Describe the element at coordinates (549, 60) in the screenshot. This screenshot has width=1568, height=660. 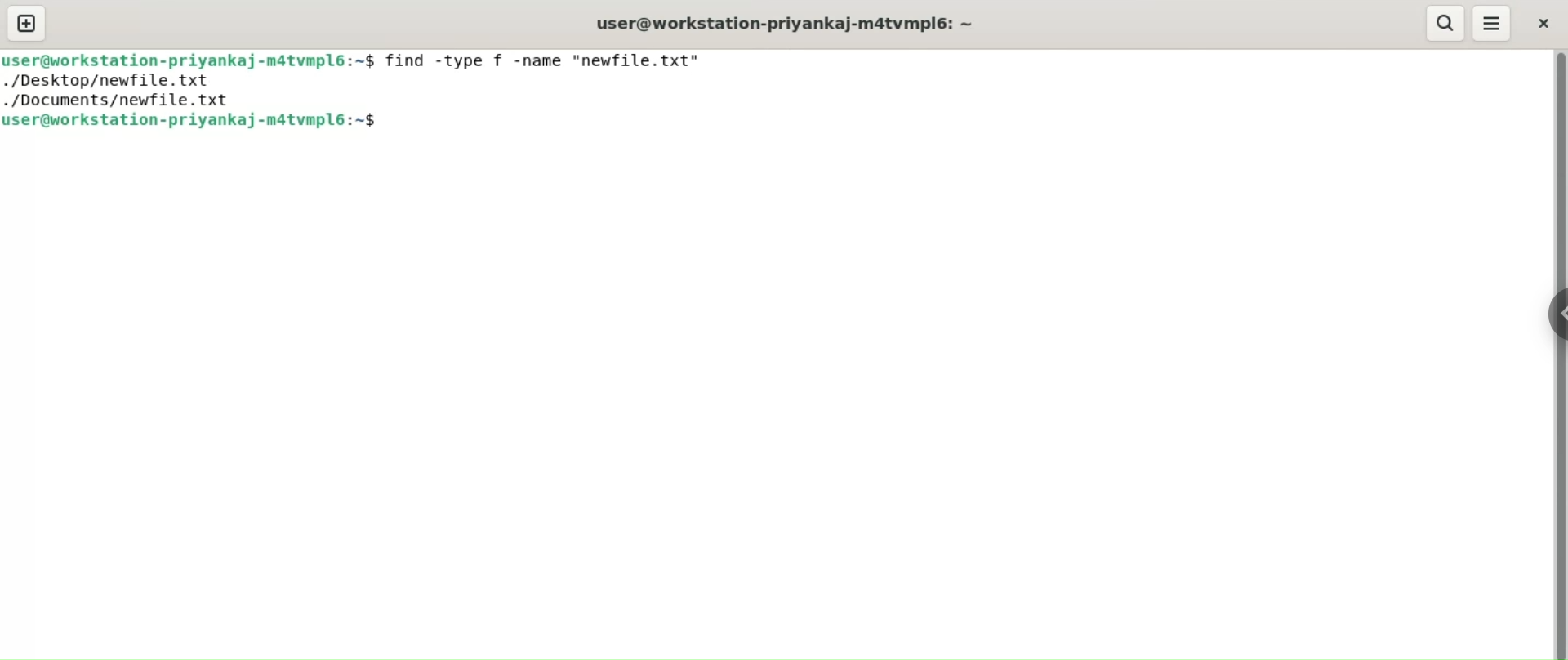
I see `find -type f -name "newfile.txt"` at that location.